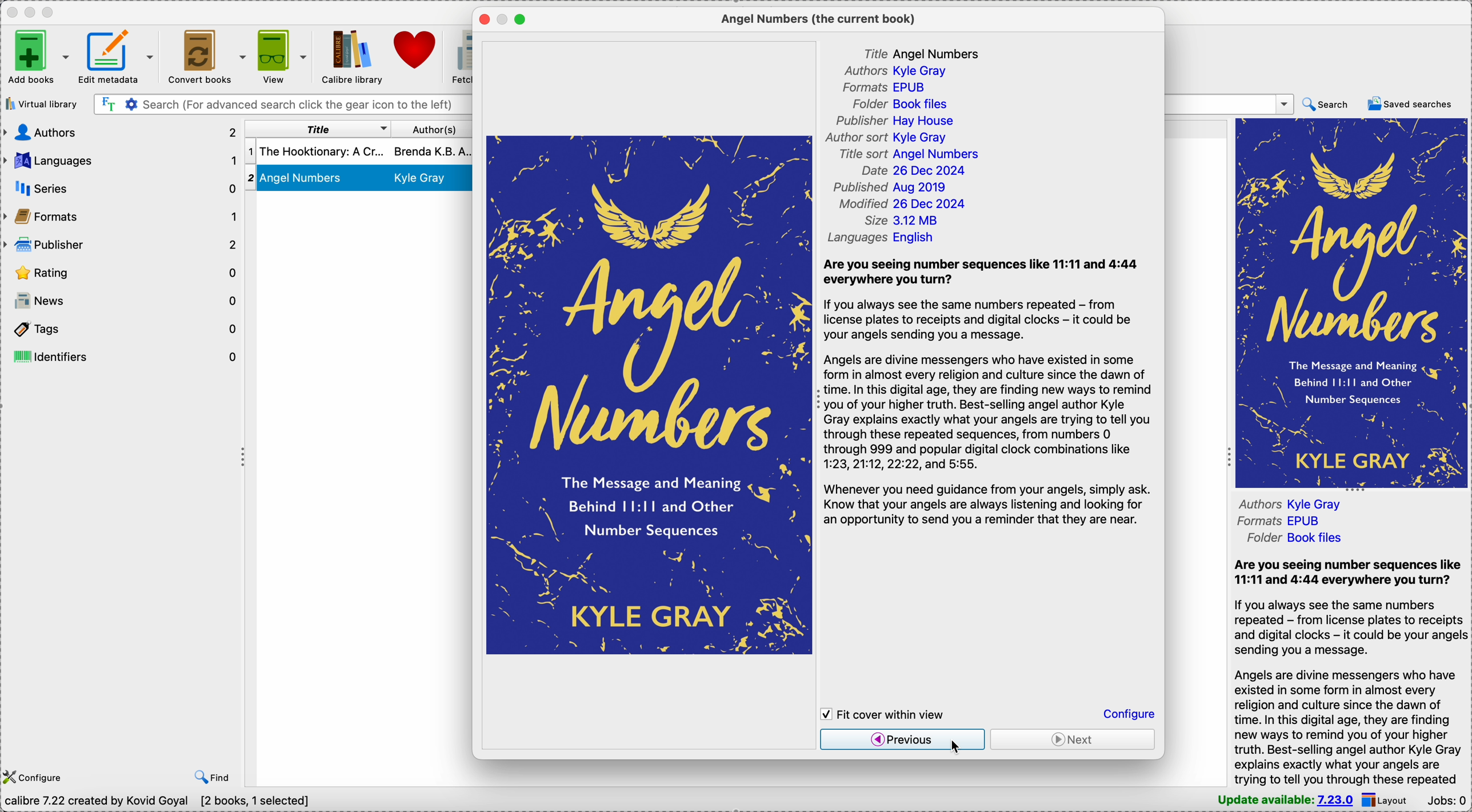  What do you see at coordinates (891, 87) in the screenshot?
I see `formats` at bounding box center [891, 87].